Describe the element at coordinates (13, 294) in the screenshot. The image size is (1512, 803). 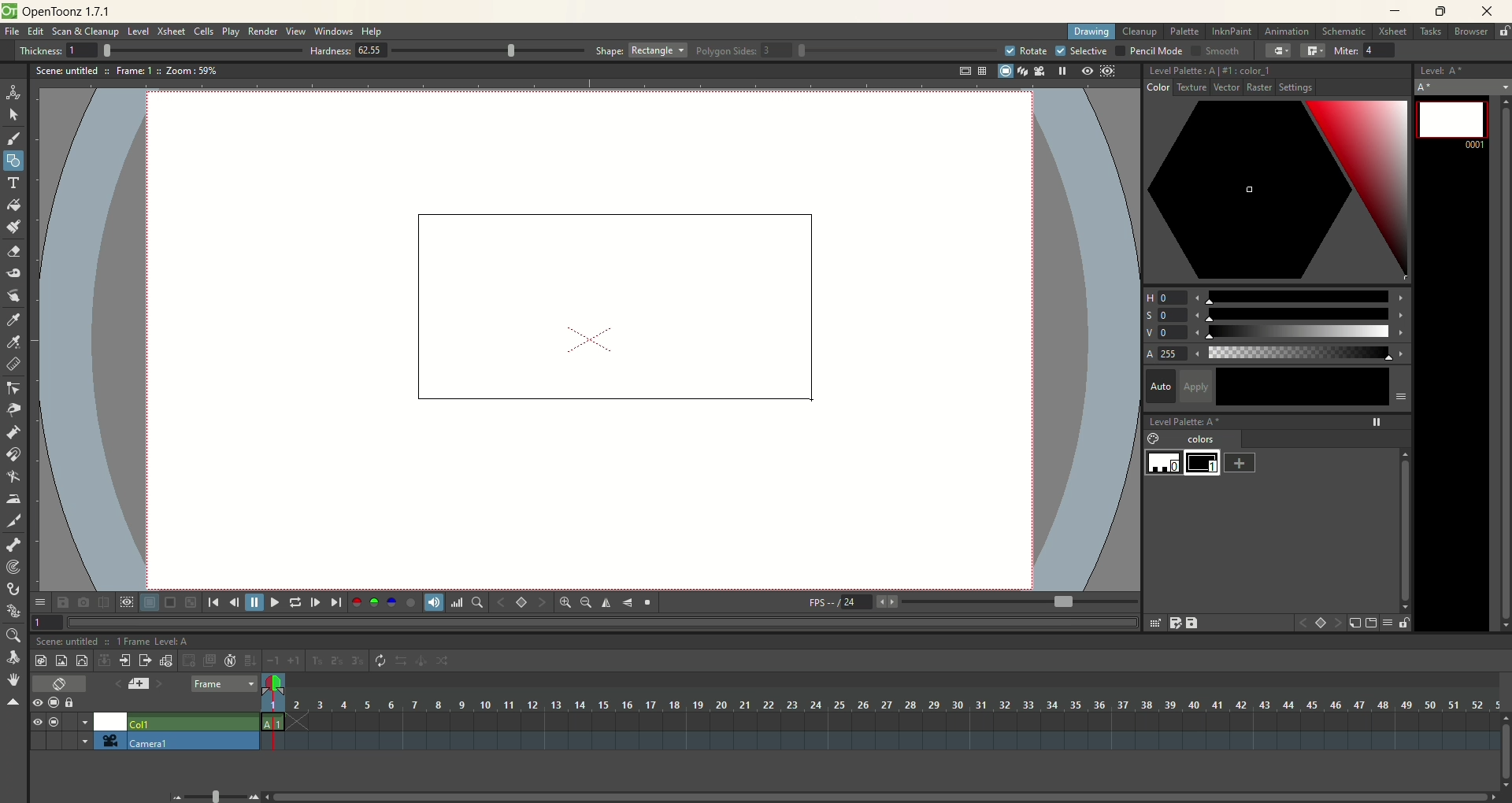
I see `finger tool` at that location.